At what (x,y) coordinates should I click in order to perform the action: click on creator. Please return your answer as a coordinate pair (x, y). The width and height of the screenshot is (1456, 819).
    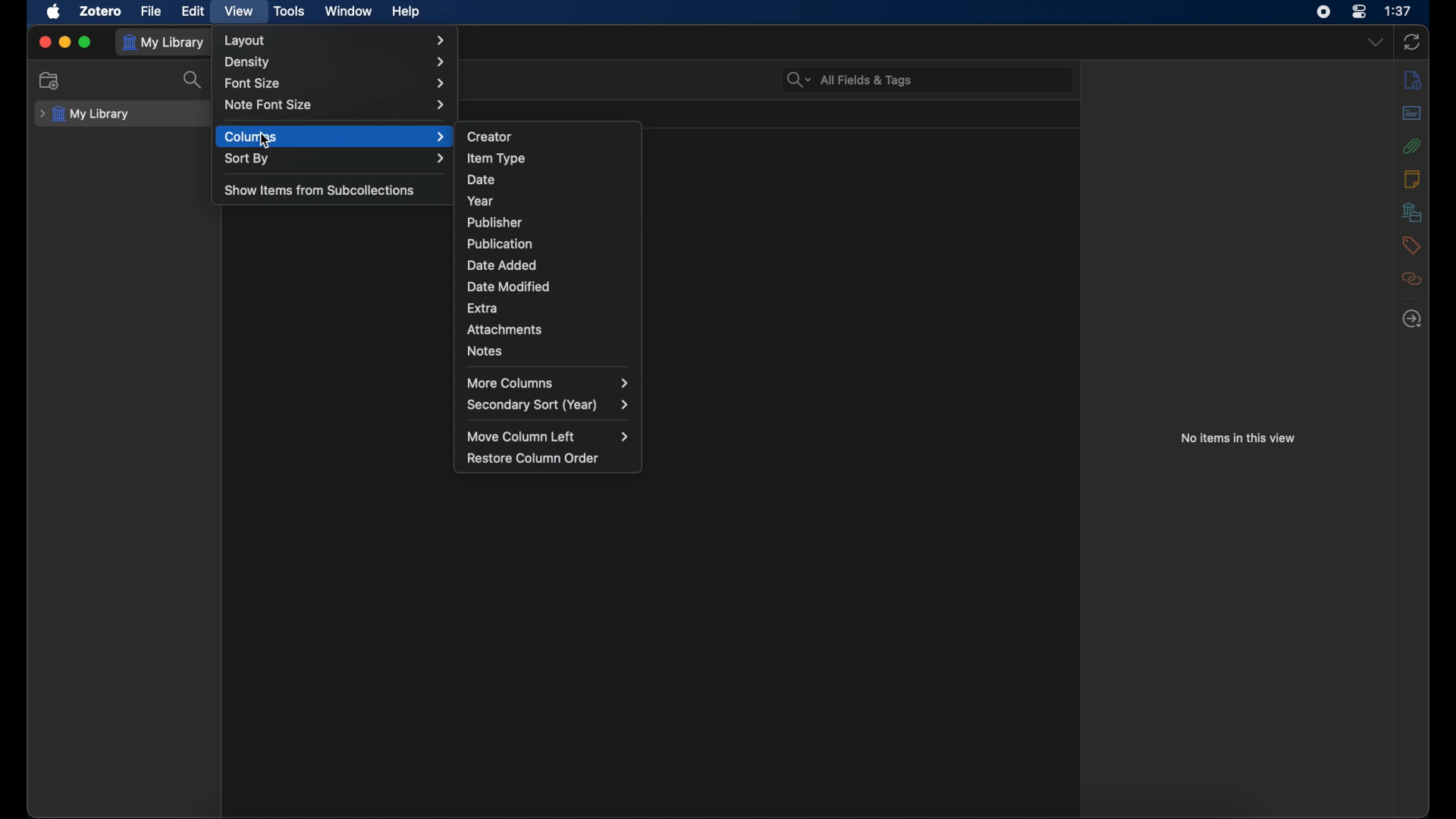
    Looking at the image, I should click on (491, 135).